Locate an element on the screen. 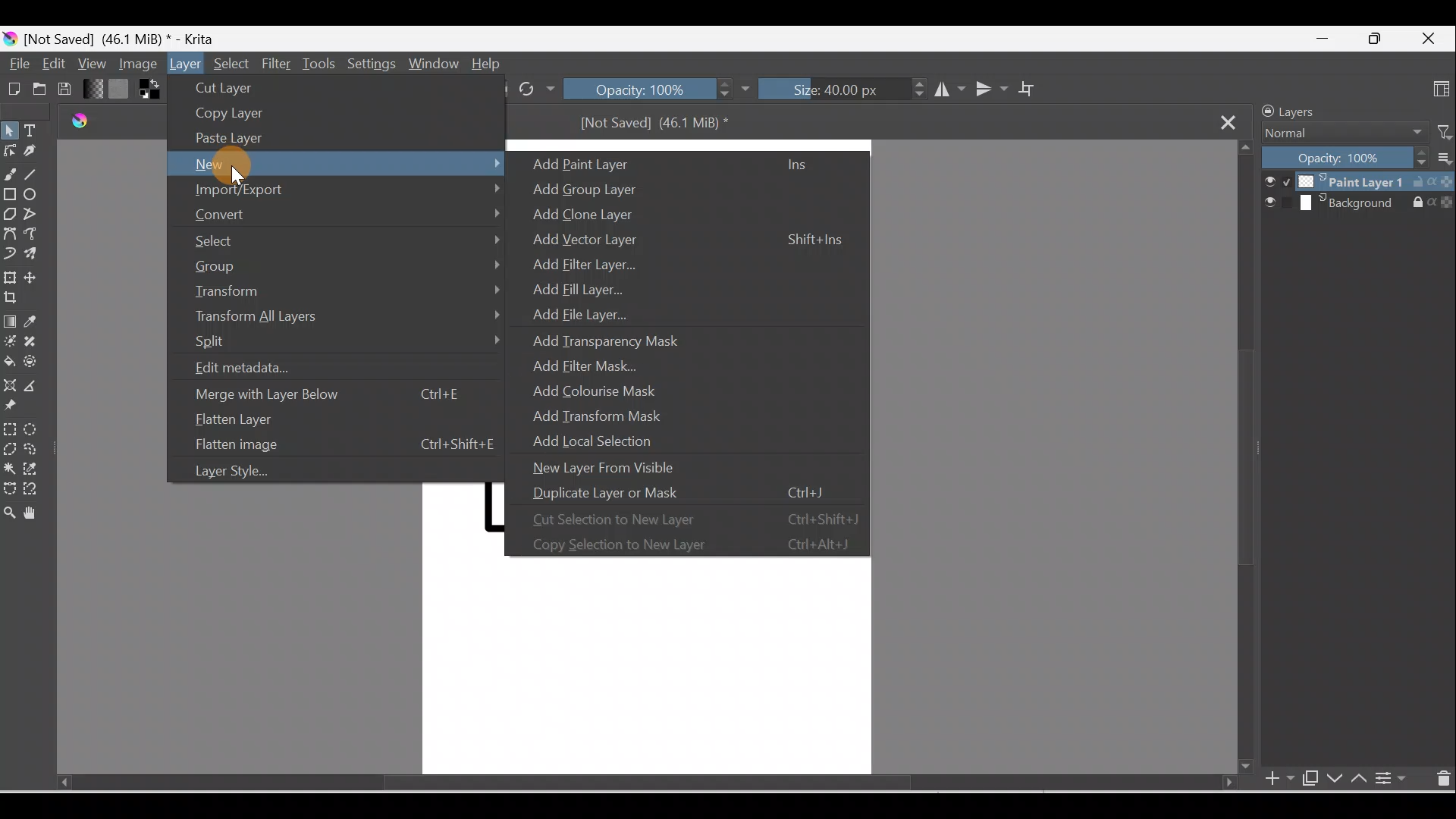 The height and width of the screenshot is (819, 1456). Copy selection to new layer  Ctrl+Alt+J is located at coordinates (686, 544).